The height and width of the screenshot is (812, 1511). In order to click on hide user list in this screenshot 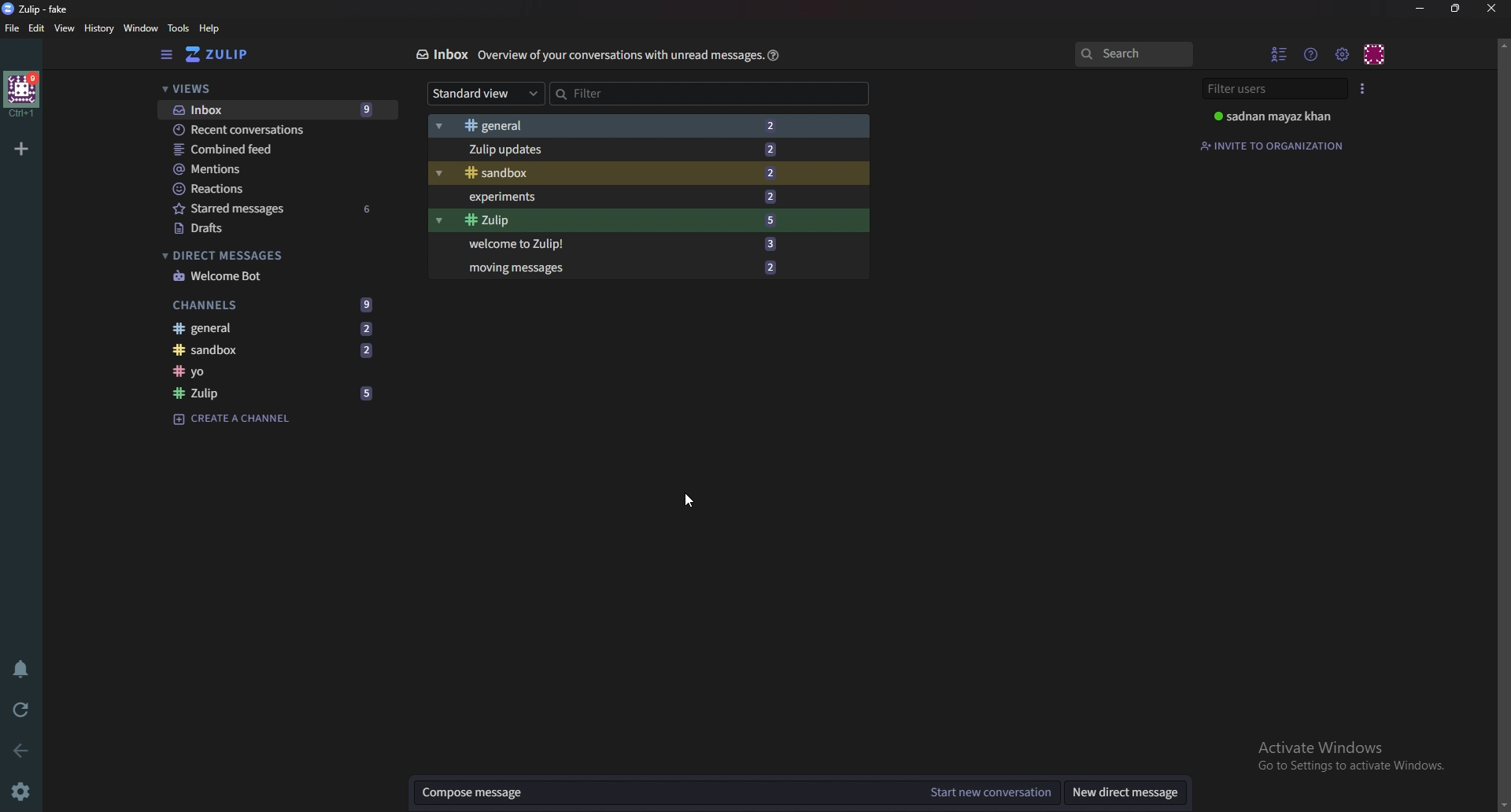, I will do `click(1280, 54)`.